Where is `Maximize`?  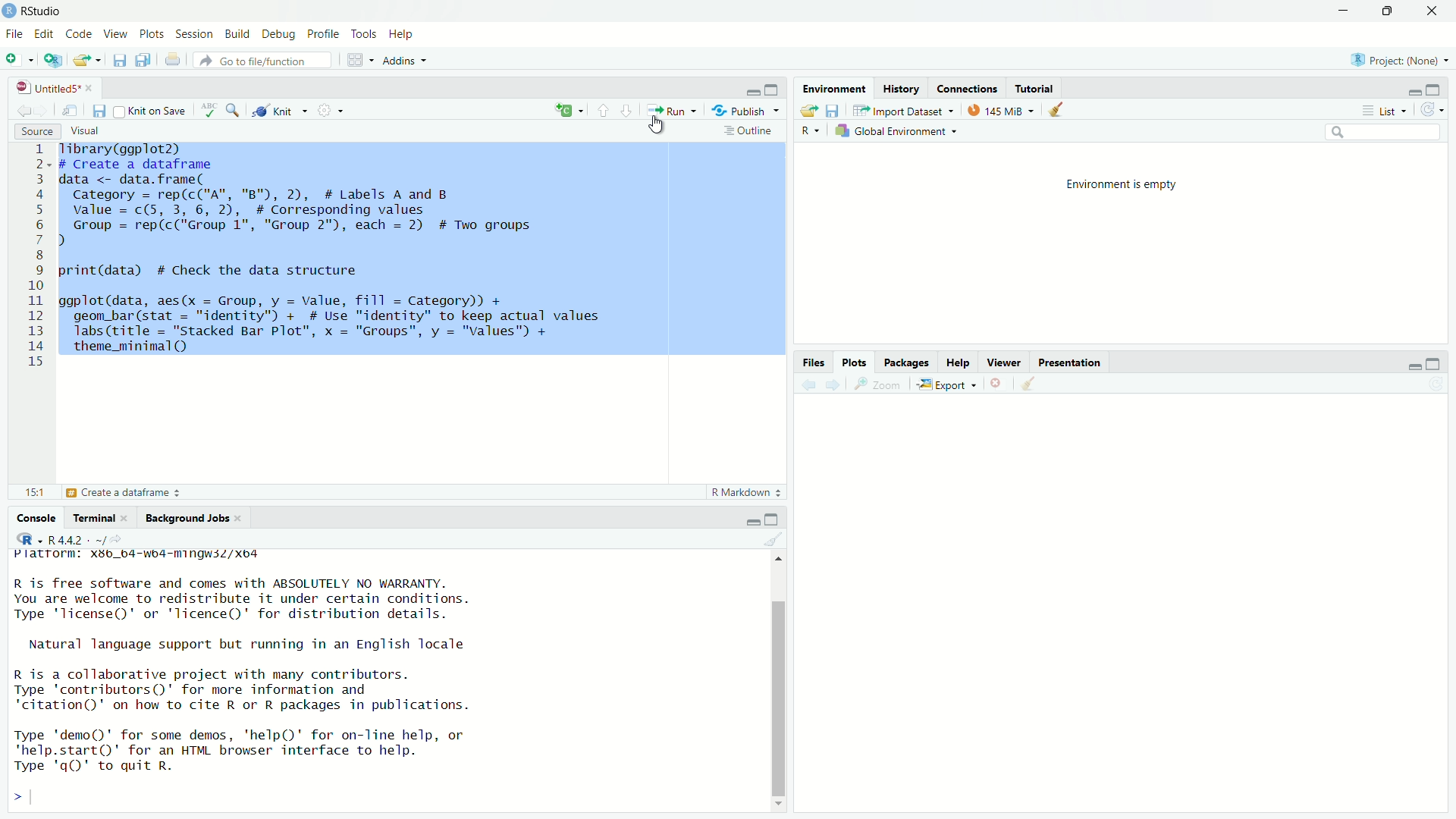 Maximize is located at coordinates (1436, 89).